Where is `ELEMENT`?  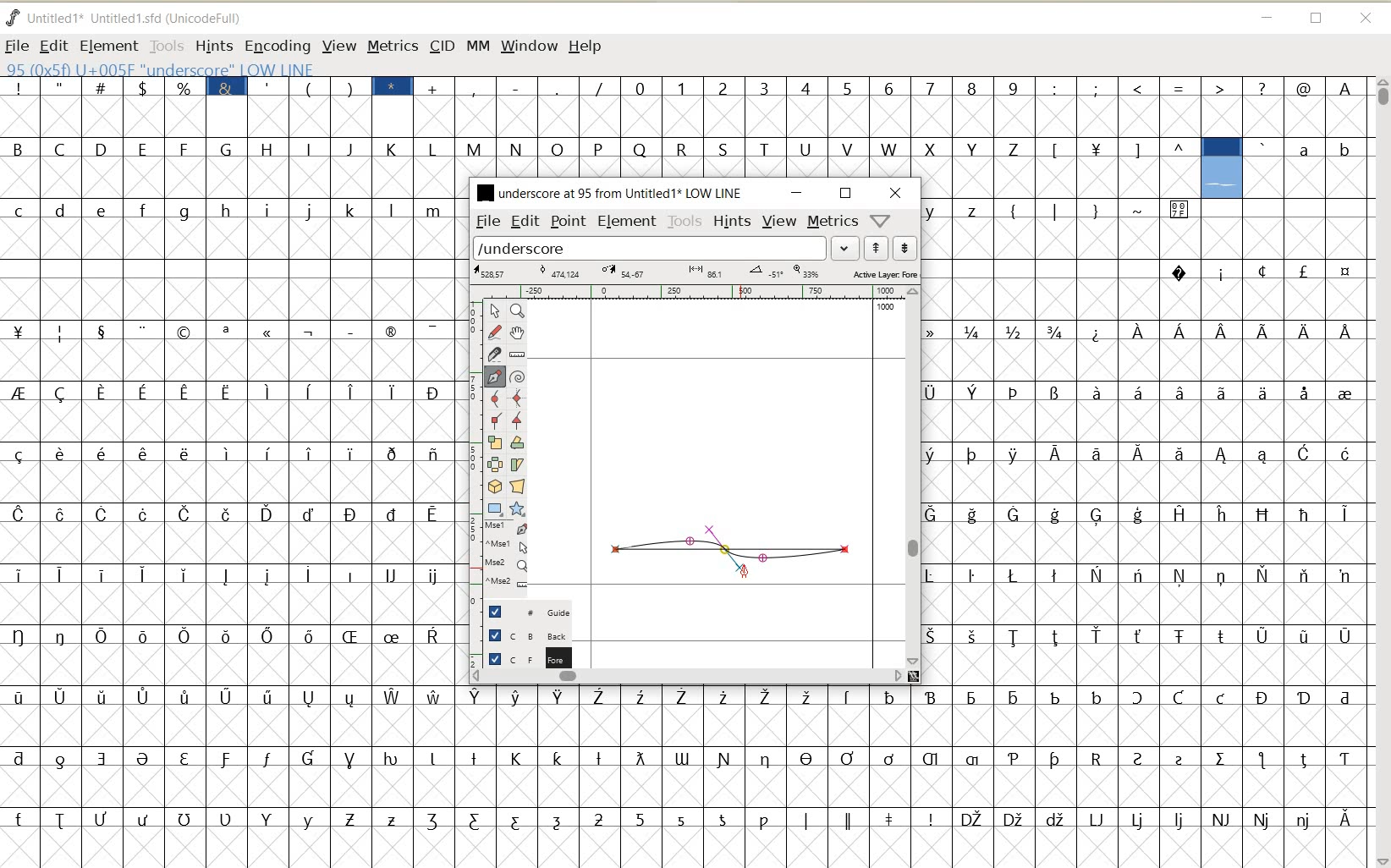
ELEMENT is located at coordinates (108, 47).